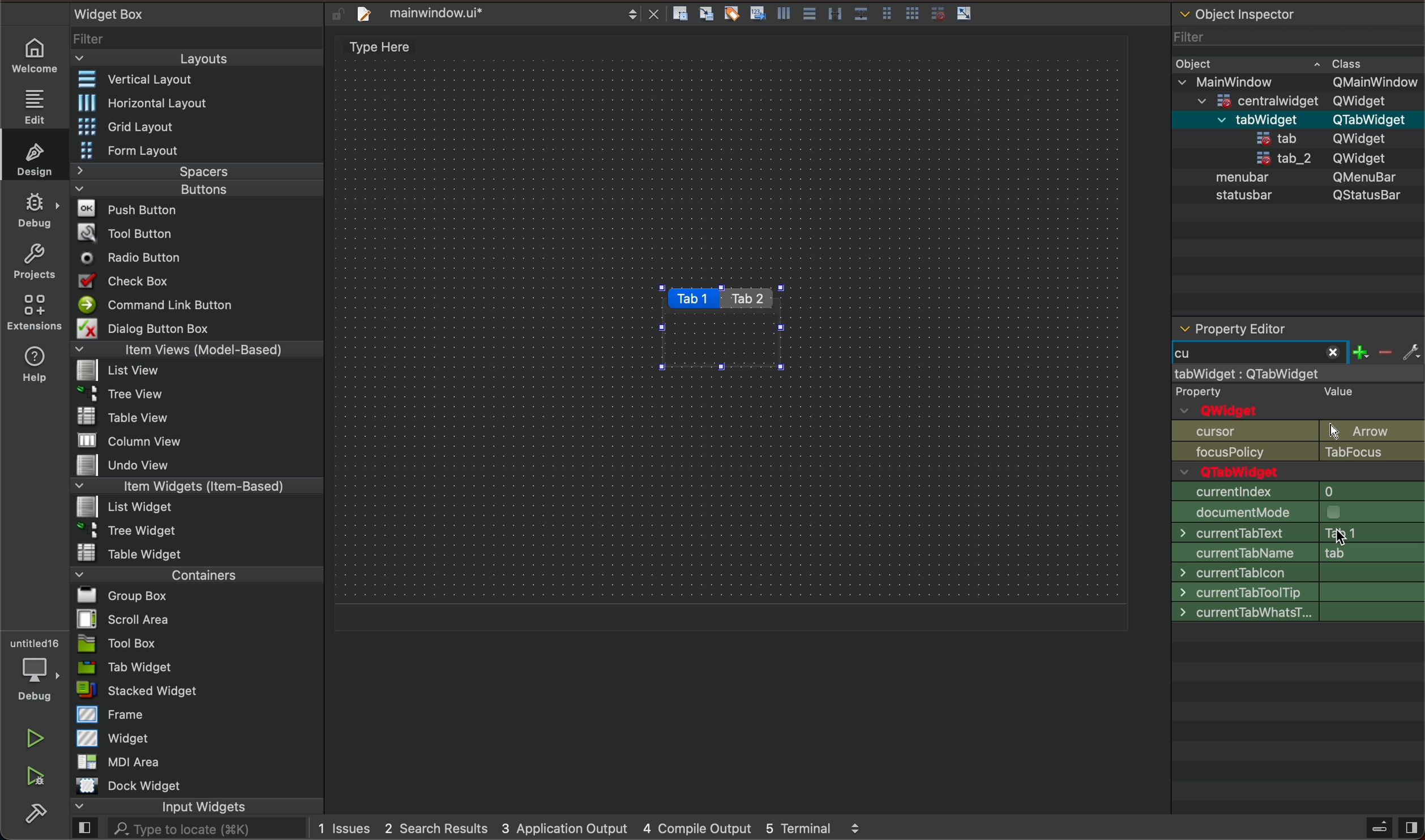 The image size is (1425, 840). What do you see at coordinates (114, 738) in the screenshot?
I see `Widget` at bounding box center [114, 738].